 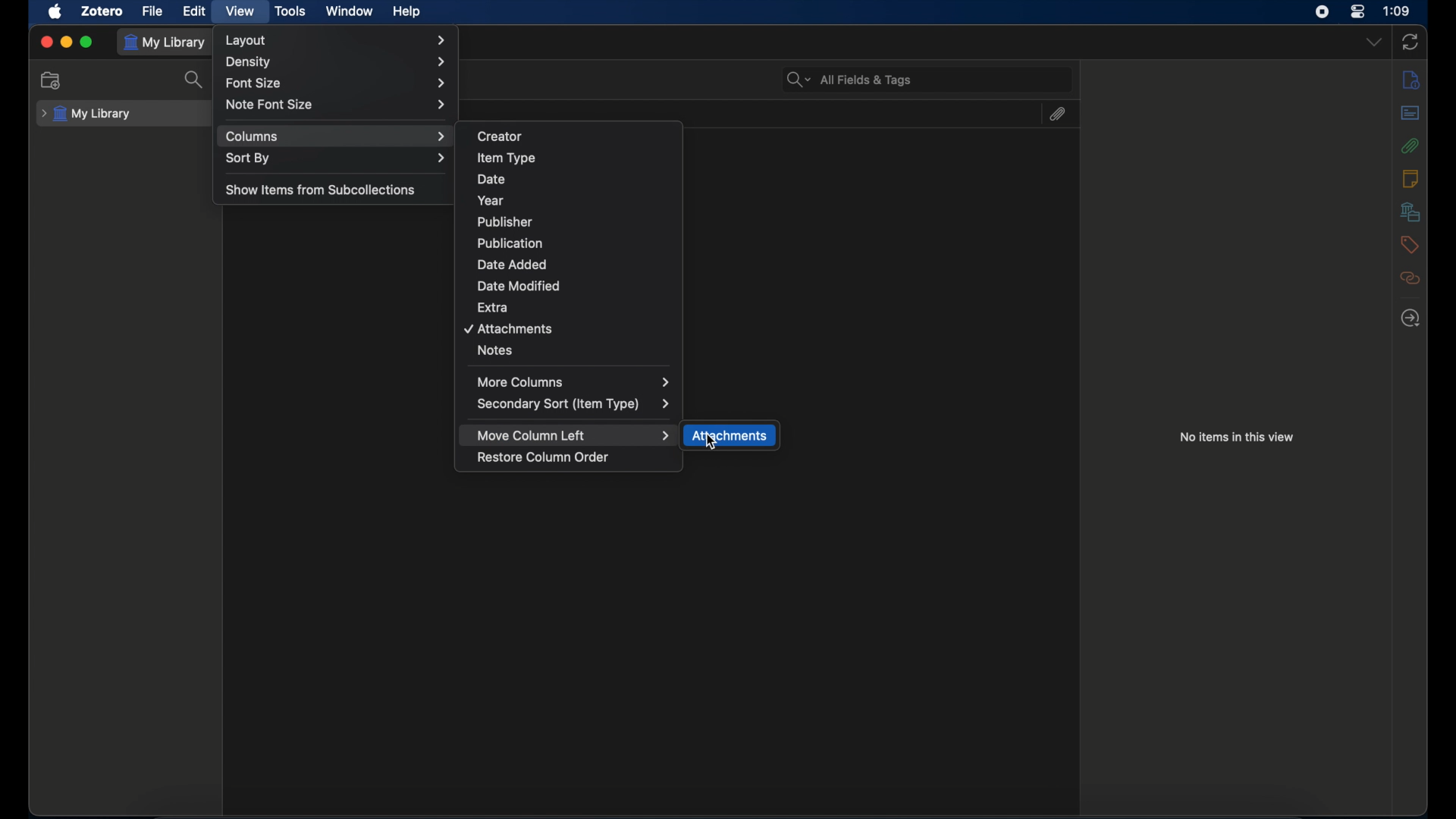 What do you see at coordinates (337, 84) in the screenshot?
I see `font size` at bounding box center [337, 84].